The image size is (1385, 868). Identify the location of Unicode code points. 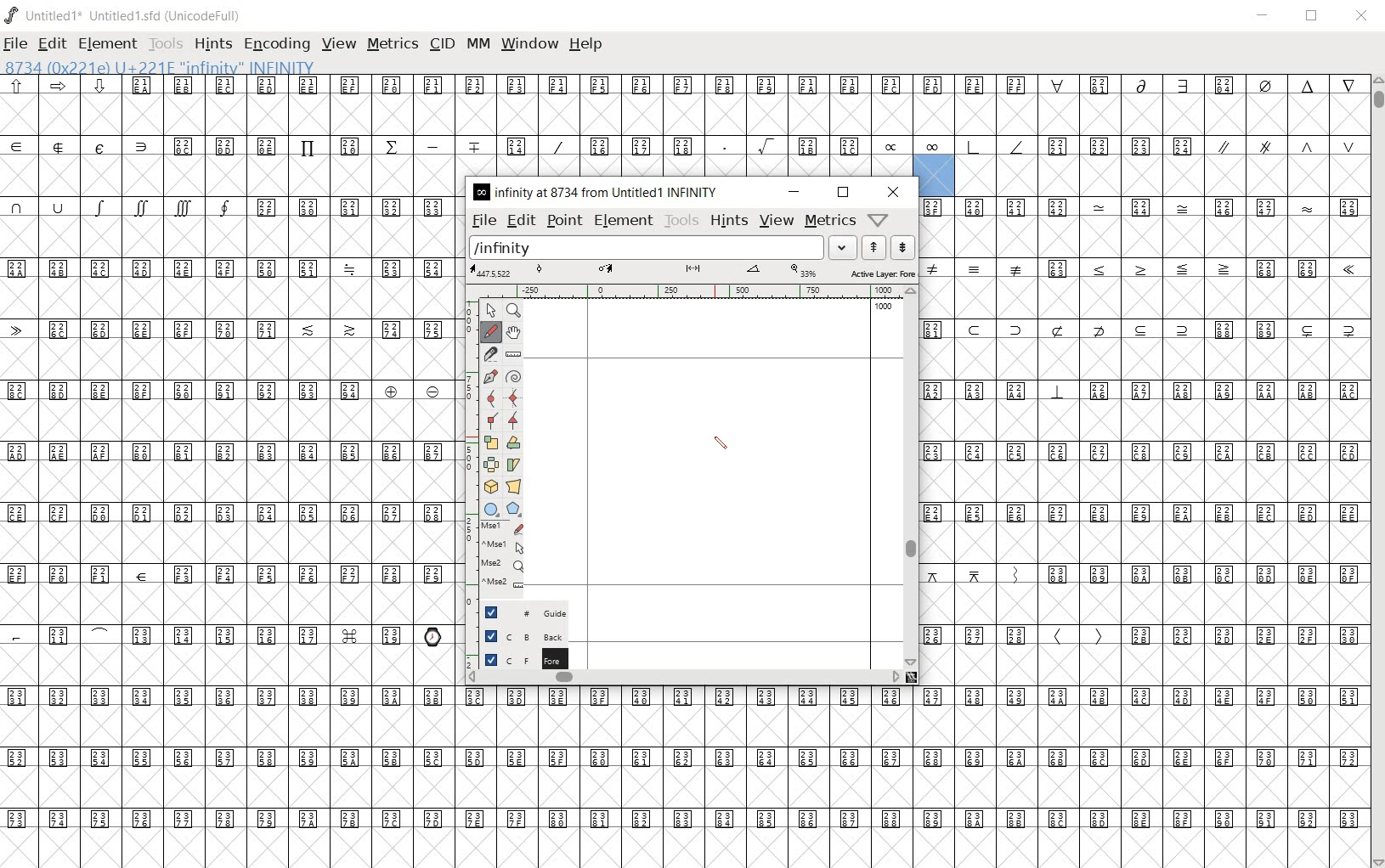
(235, 573).